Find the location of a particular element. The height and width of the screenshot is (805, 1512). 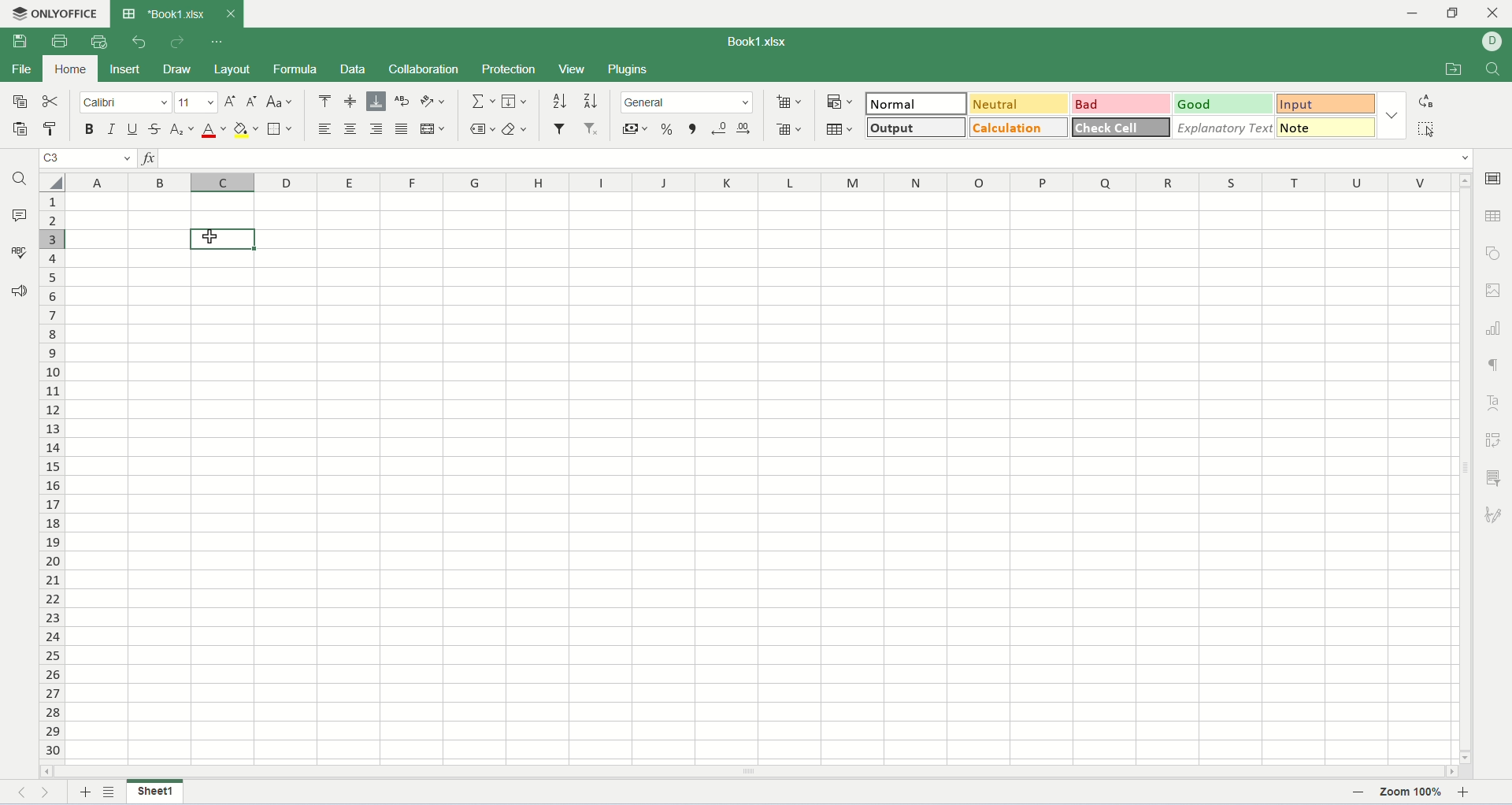

comments is located at coordinates (20, 213).